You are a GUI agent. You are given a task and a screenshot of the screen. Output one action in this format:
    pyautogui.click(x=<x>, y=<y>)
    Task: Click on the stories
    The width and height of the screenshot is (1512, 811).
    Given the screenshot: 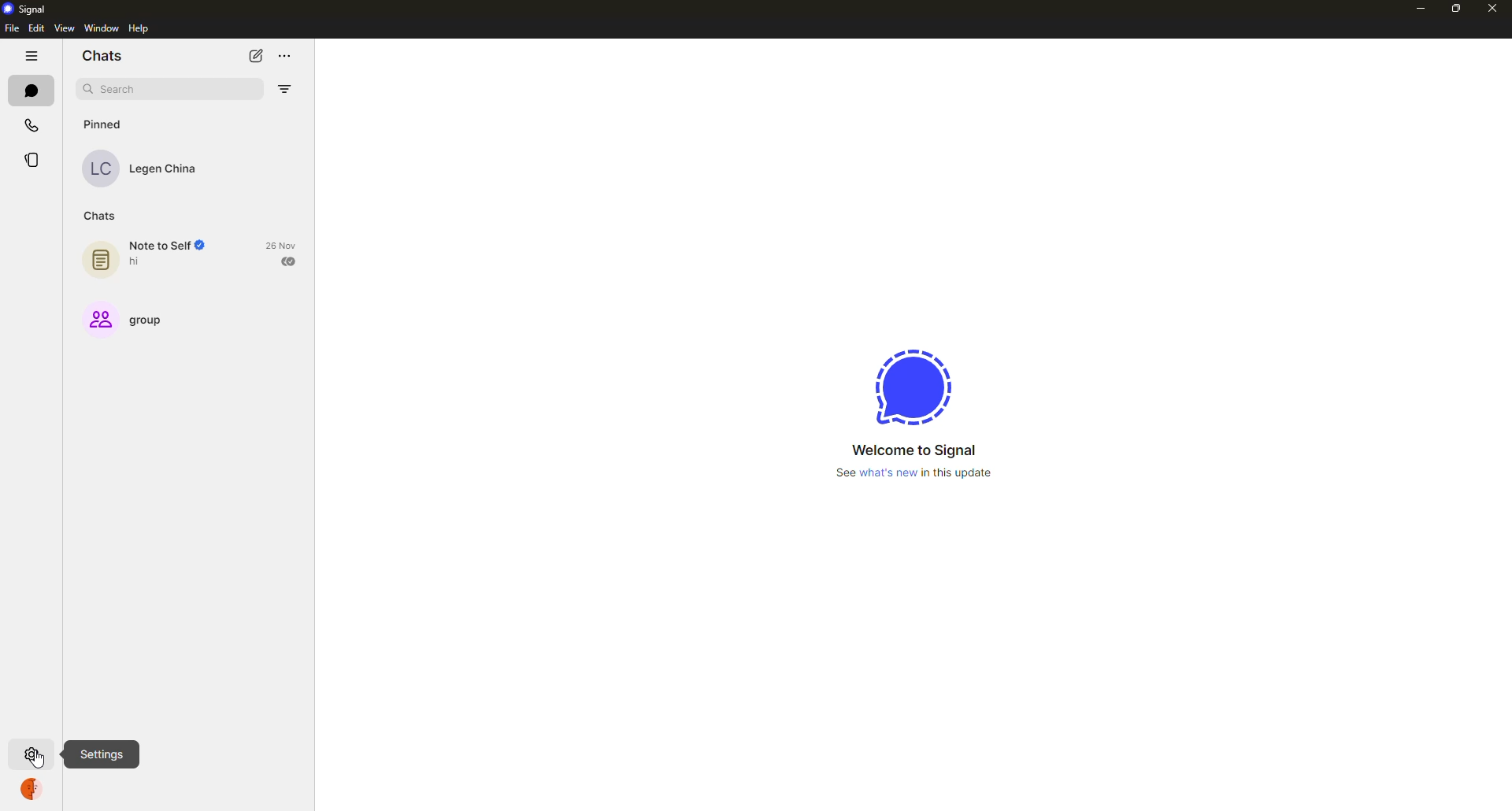 What is the action you would take?
    pyautogui.click(x=31, y=160)
    